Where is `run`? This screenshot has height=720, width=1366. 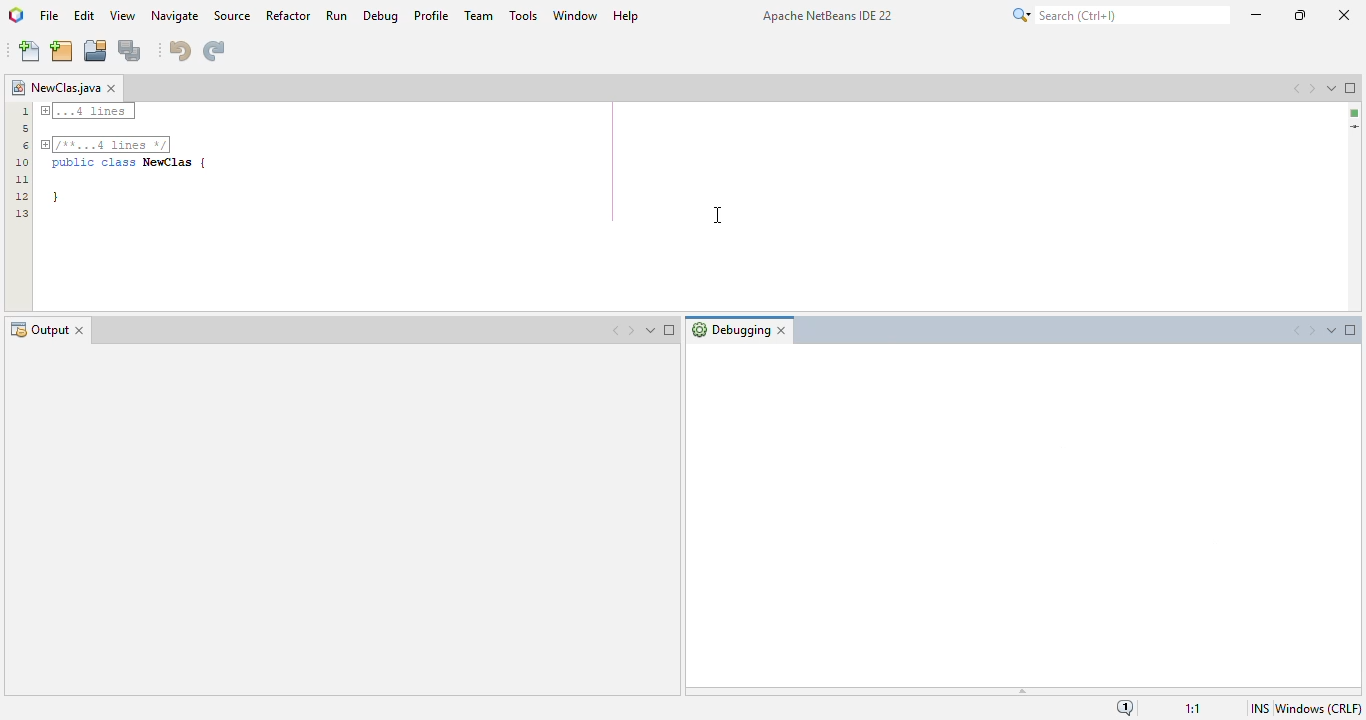 run is located at coordinates (336, 15).